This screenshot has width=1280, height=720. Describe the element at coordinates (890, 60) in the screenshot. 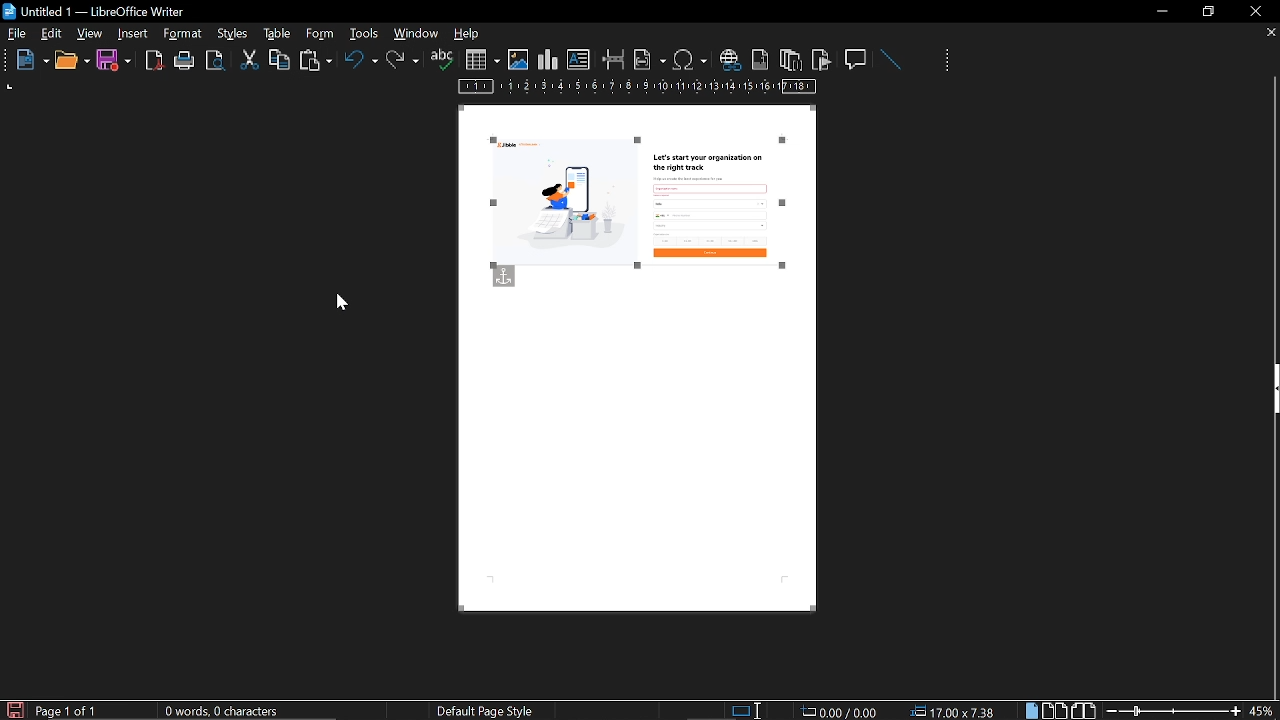

I see `line` at that location.